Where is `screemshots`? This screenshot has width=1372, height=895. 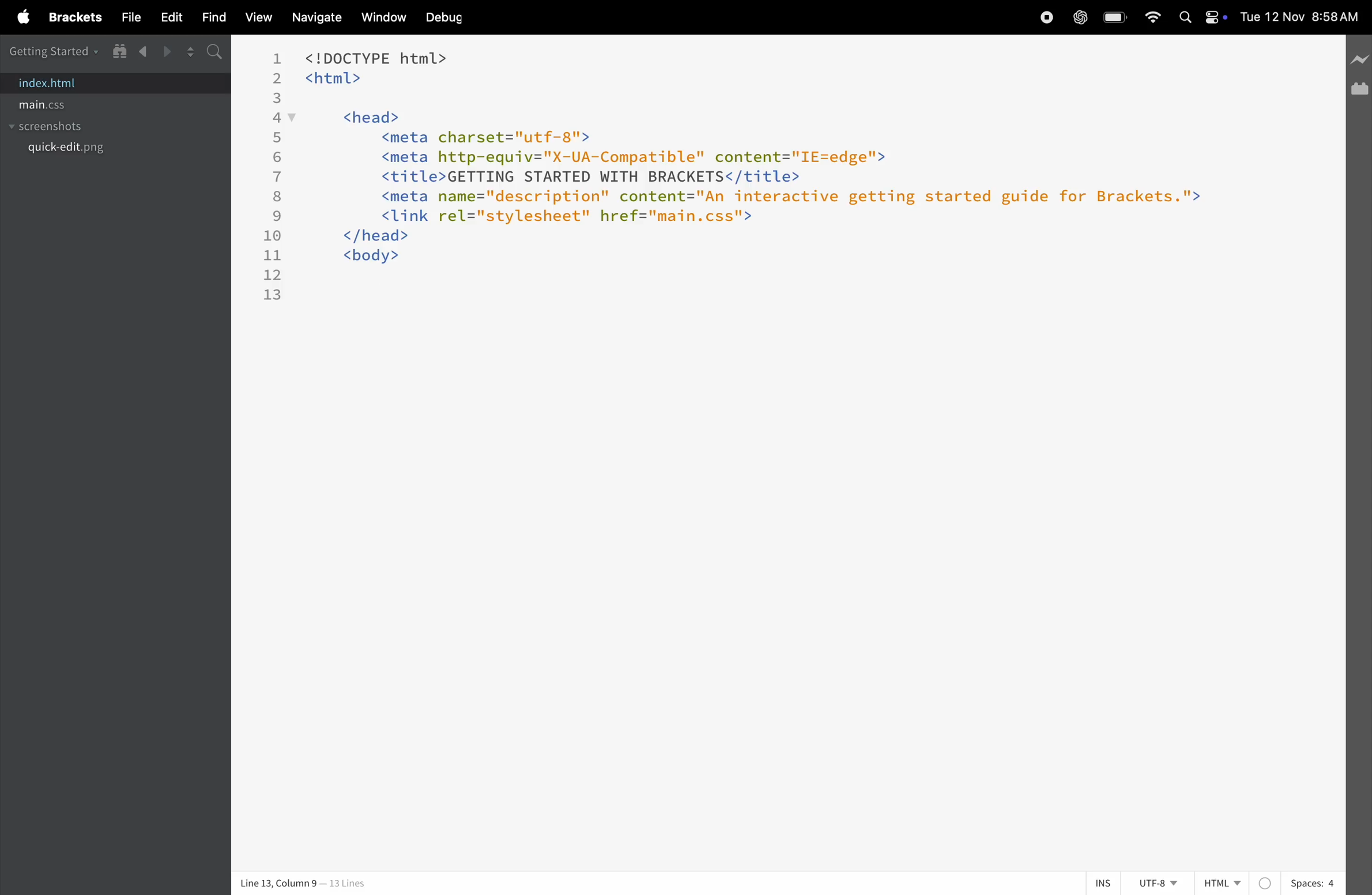
screemshots is located at coordinates (70, 128).